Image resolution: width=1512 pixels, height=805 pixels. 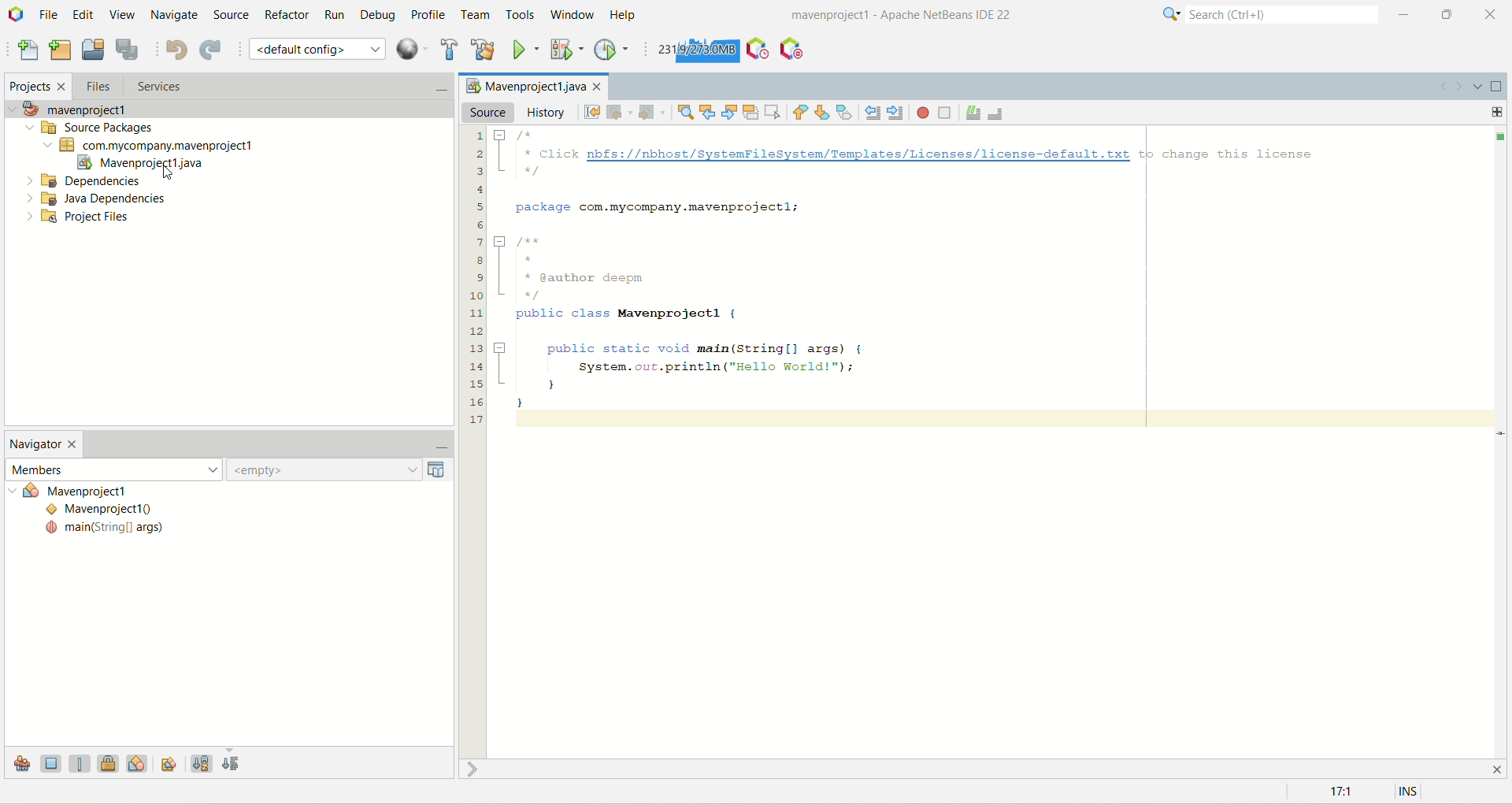 I want to click on add, so click(x=1498, y=112).